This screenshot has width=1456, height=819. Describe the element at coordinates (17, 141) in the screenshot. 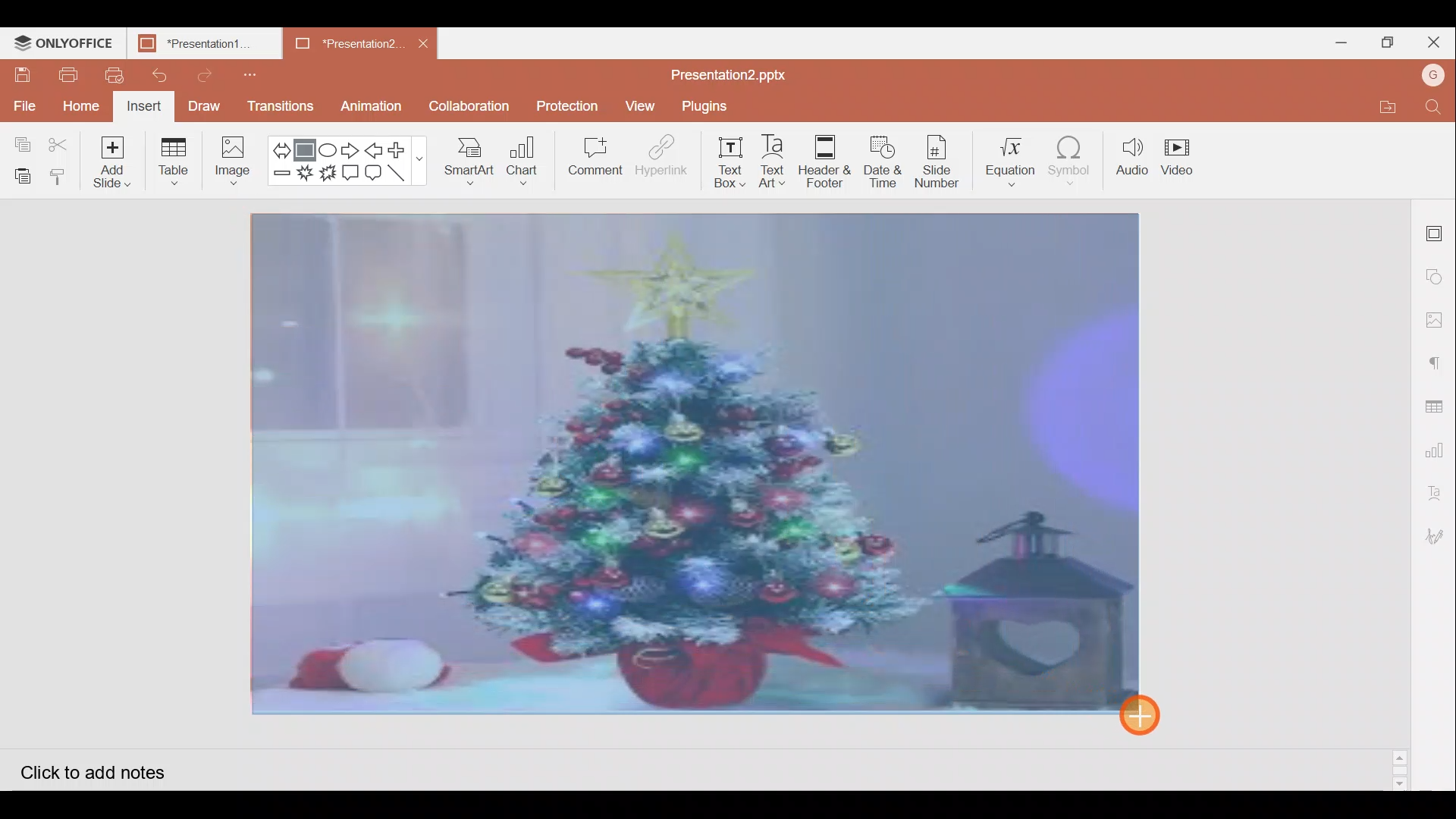

I see `Copy` at that location.